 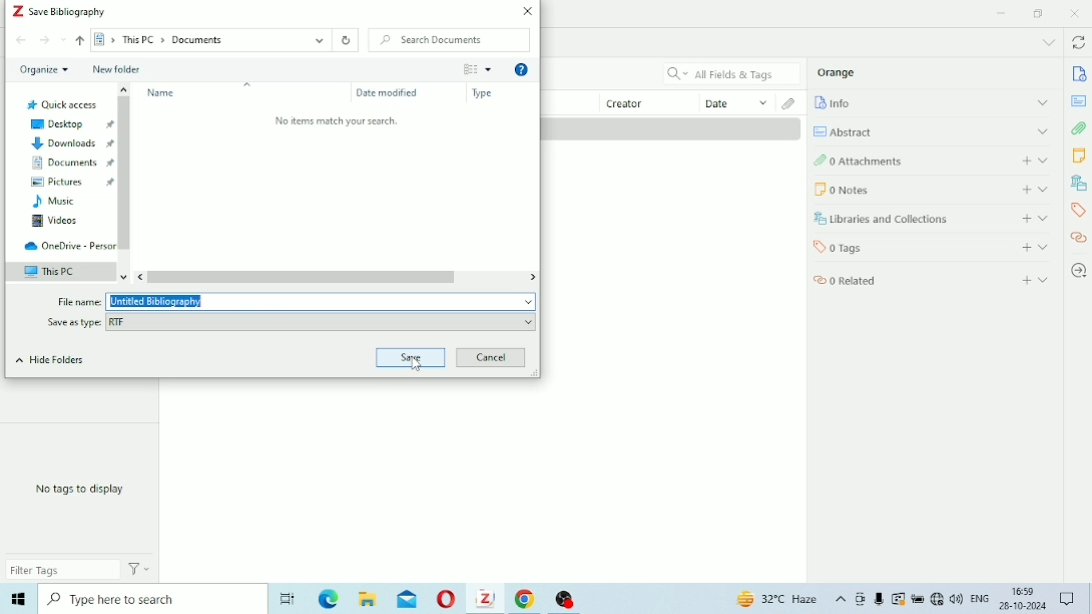 What do you see at coordinates (75, 322) in the screenshot?
I see `Save as type:` at bounding box center [75, 322].